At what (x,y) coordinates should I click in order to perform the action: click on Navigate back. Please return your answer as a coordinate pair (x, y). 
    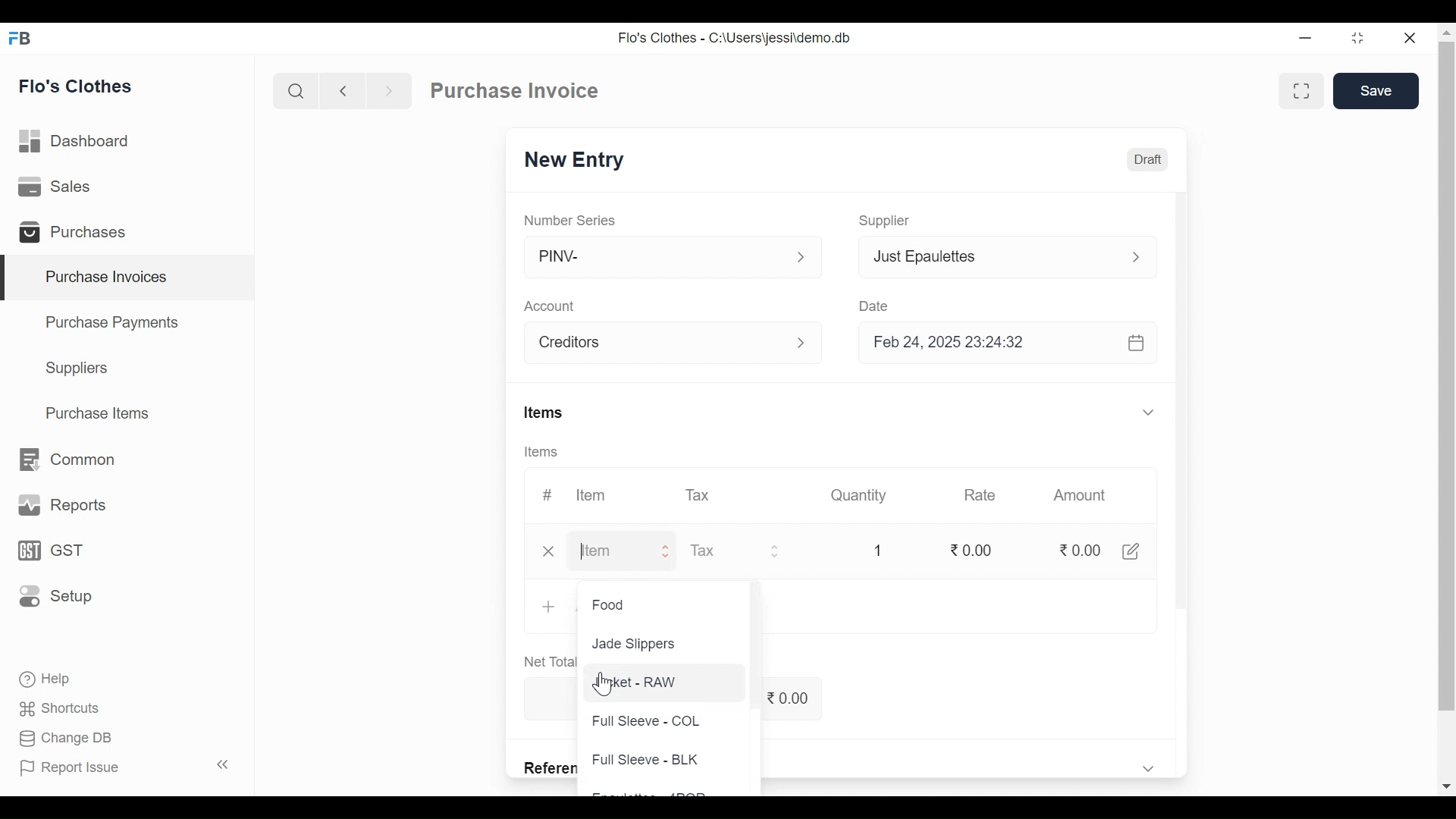
    Looking at the image, I should click on (340, 91).